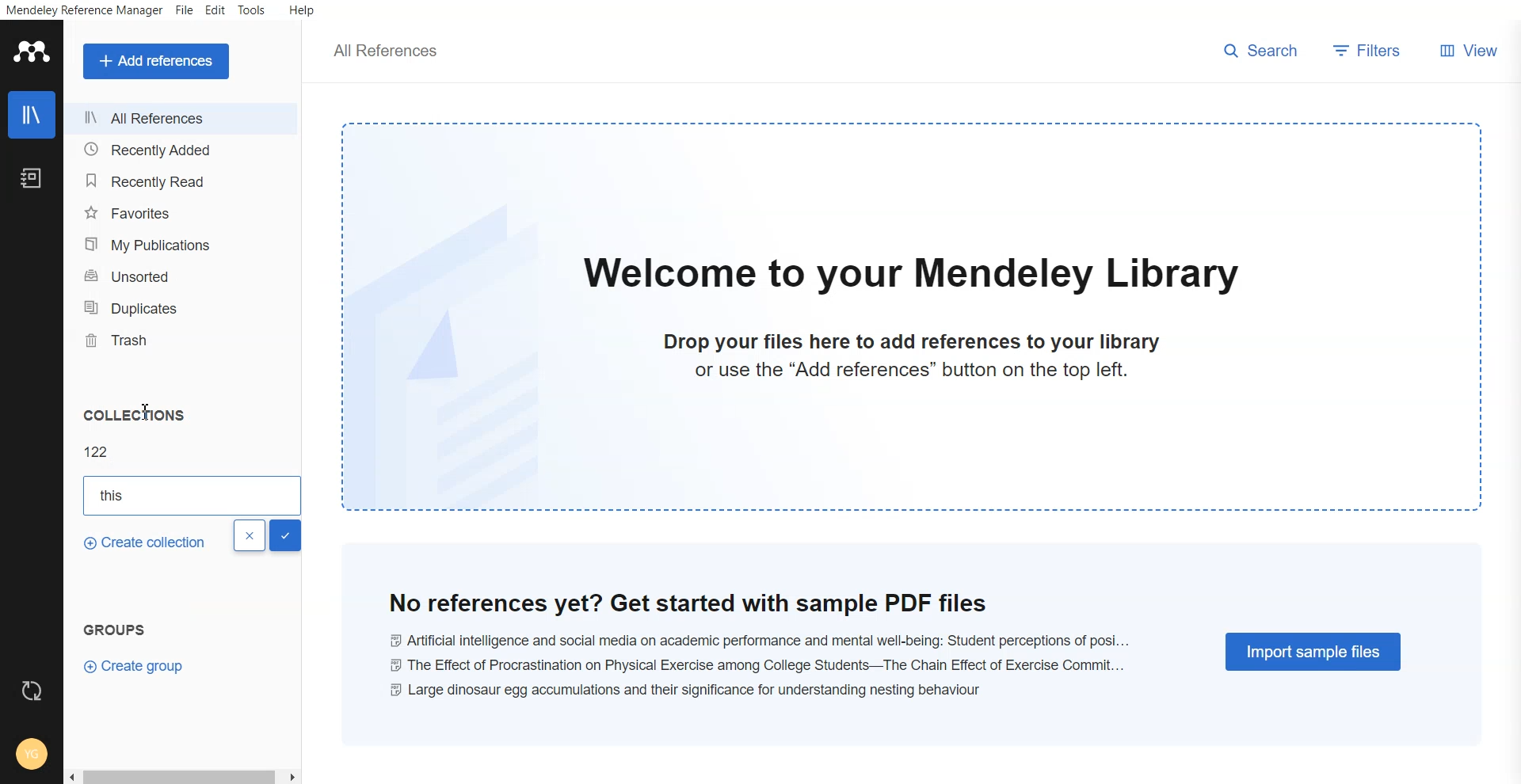 The width and height of the screenshot is (1521, 784). Describe the element at coordinates (158, 62) in the screenshot. I see `Add a references` at that location.